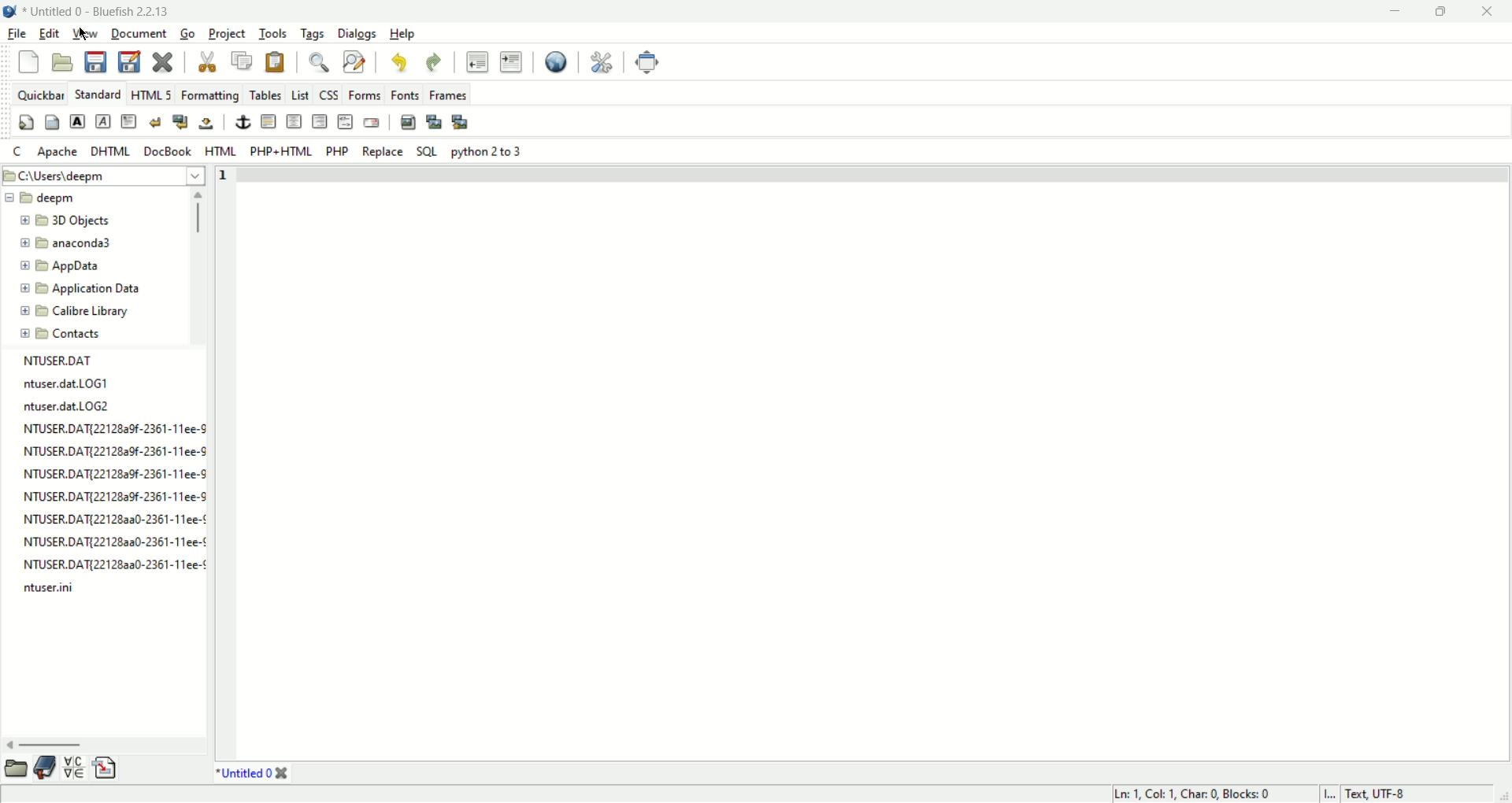 This screenshot has width=1512, height=803. I want to click on document, so click(137, 33).